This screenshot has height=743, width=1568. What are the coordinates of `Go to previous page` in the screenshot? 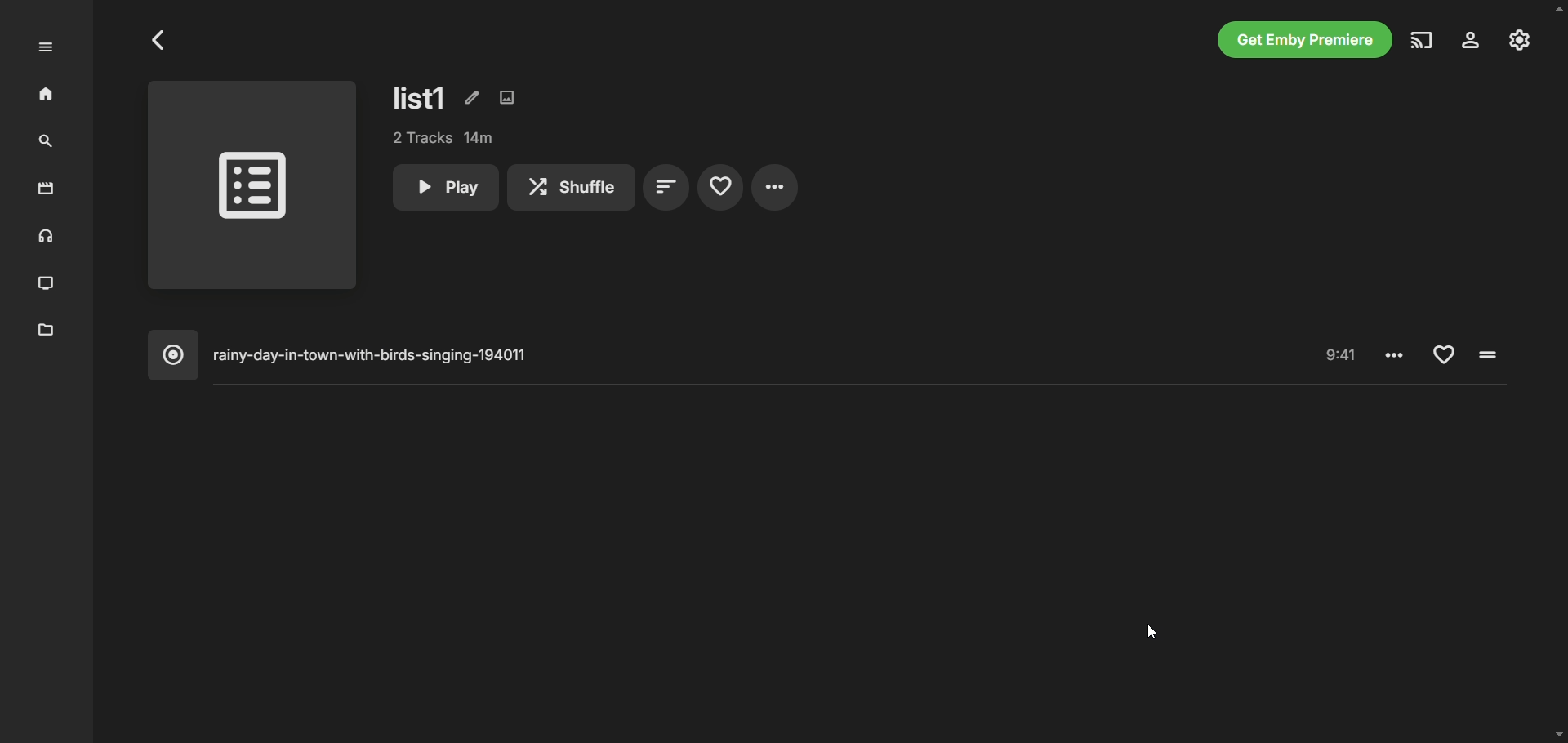 It's located at (160, 40).